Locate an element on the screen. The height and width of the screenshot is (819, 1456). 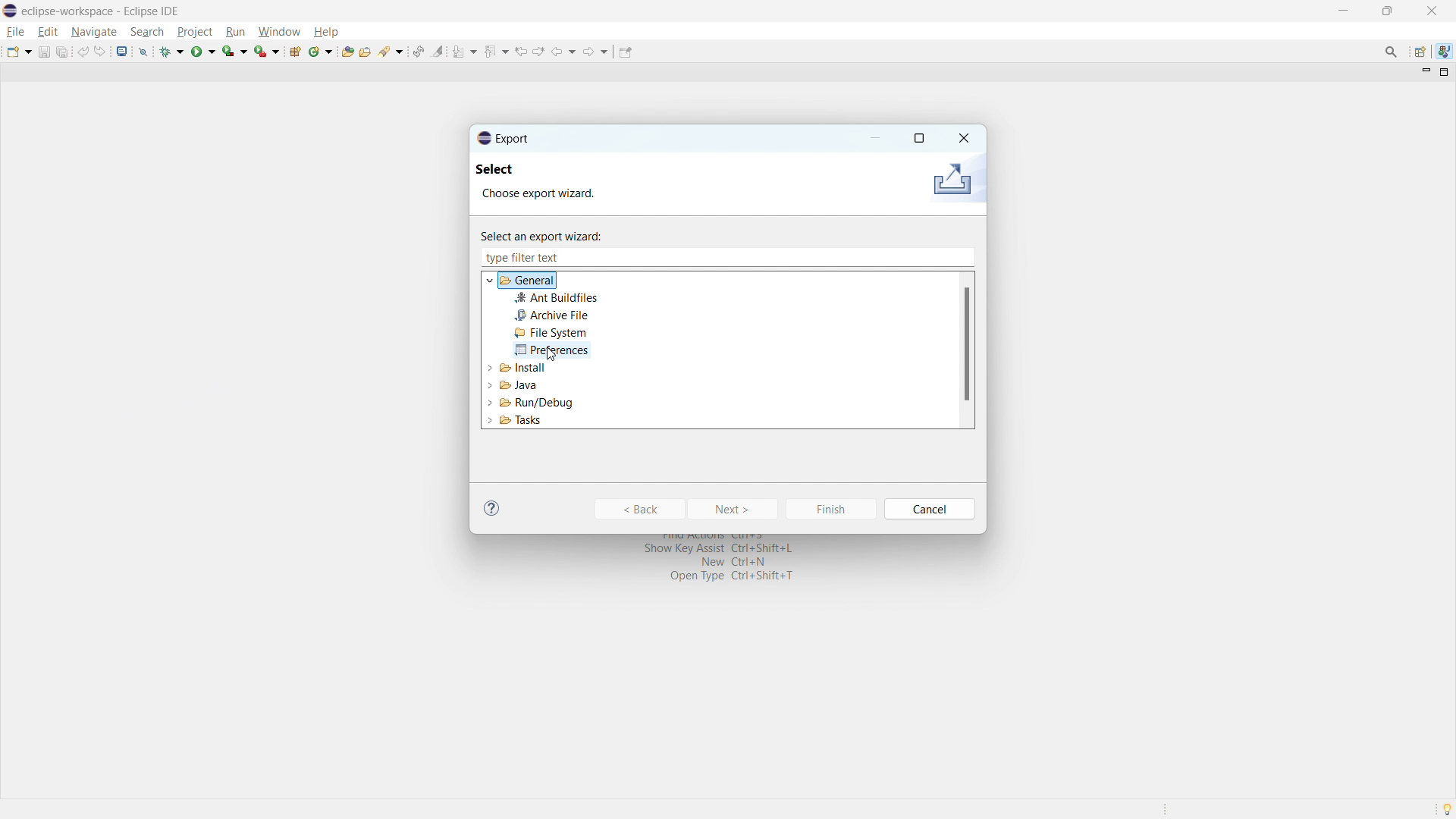
expand general is located at coordinates (491, 280).